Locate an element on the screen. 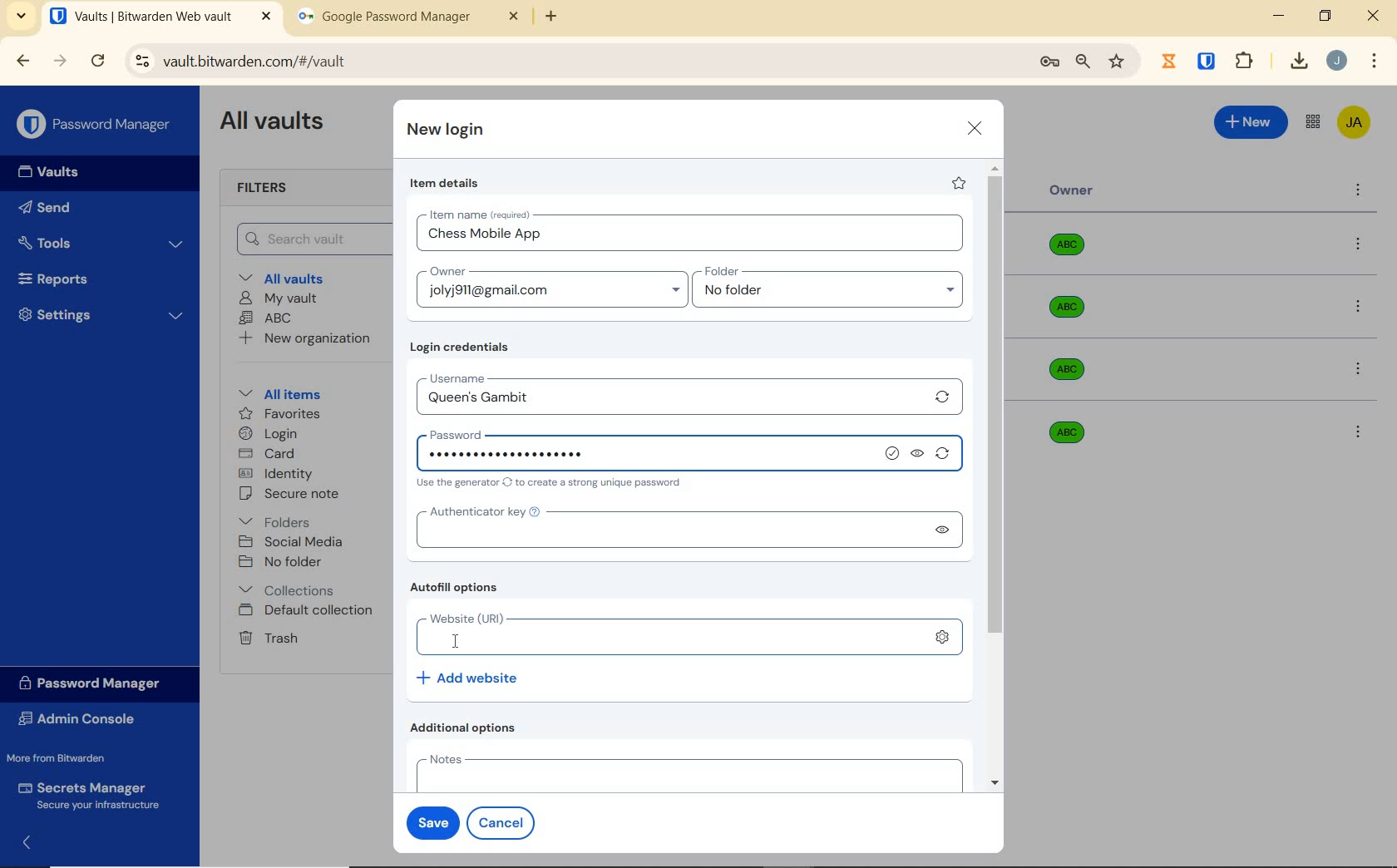 The width and height of the screenshot is (1397, 868). notes is located at coordinates (685, 772).